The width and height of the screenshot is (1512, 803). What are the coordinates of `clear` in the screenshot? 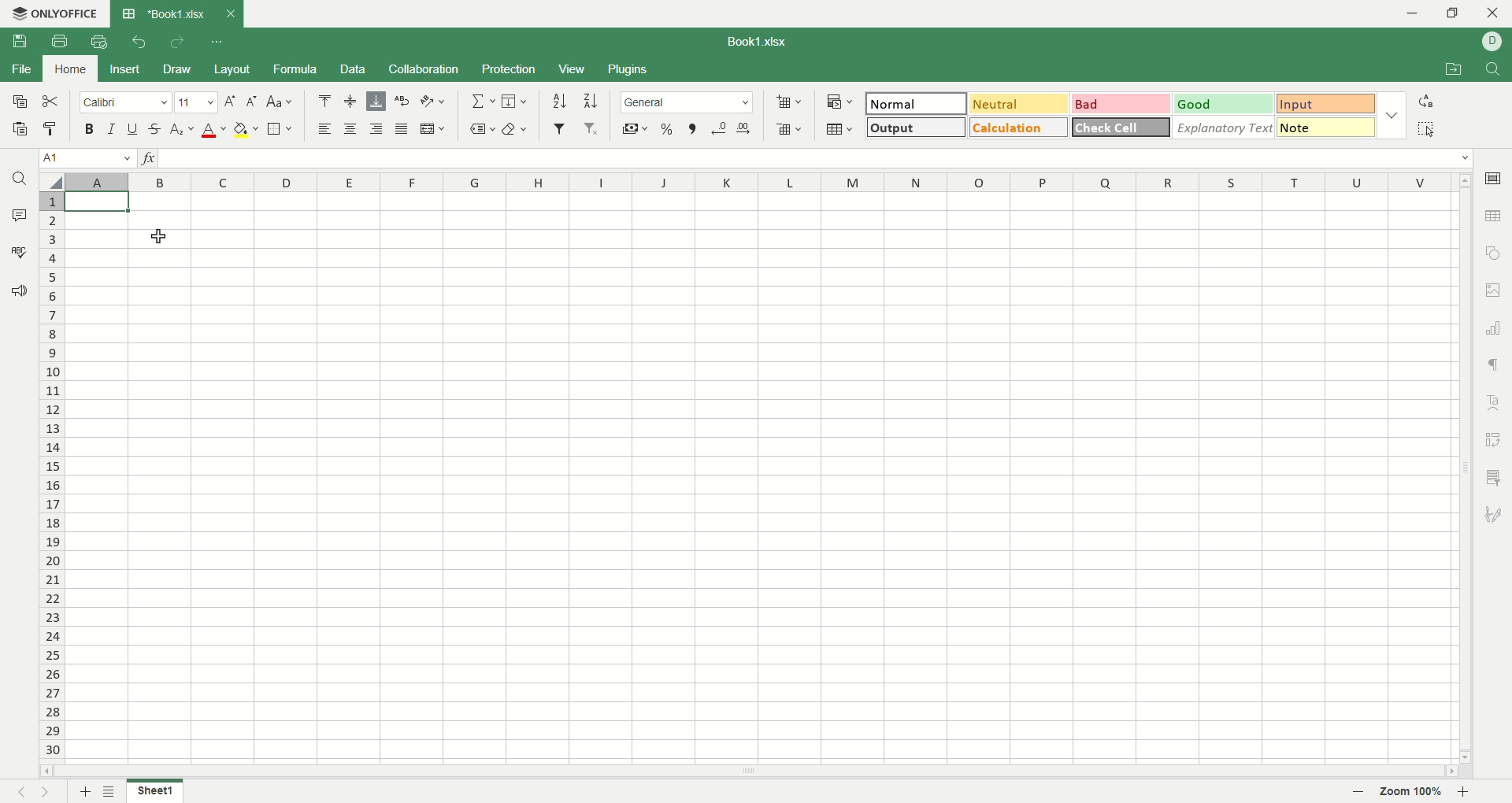 It's located at (517, 130).